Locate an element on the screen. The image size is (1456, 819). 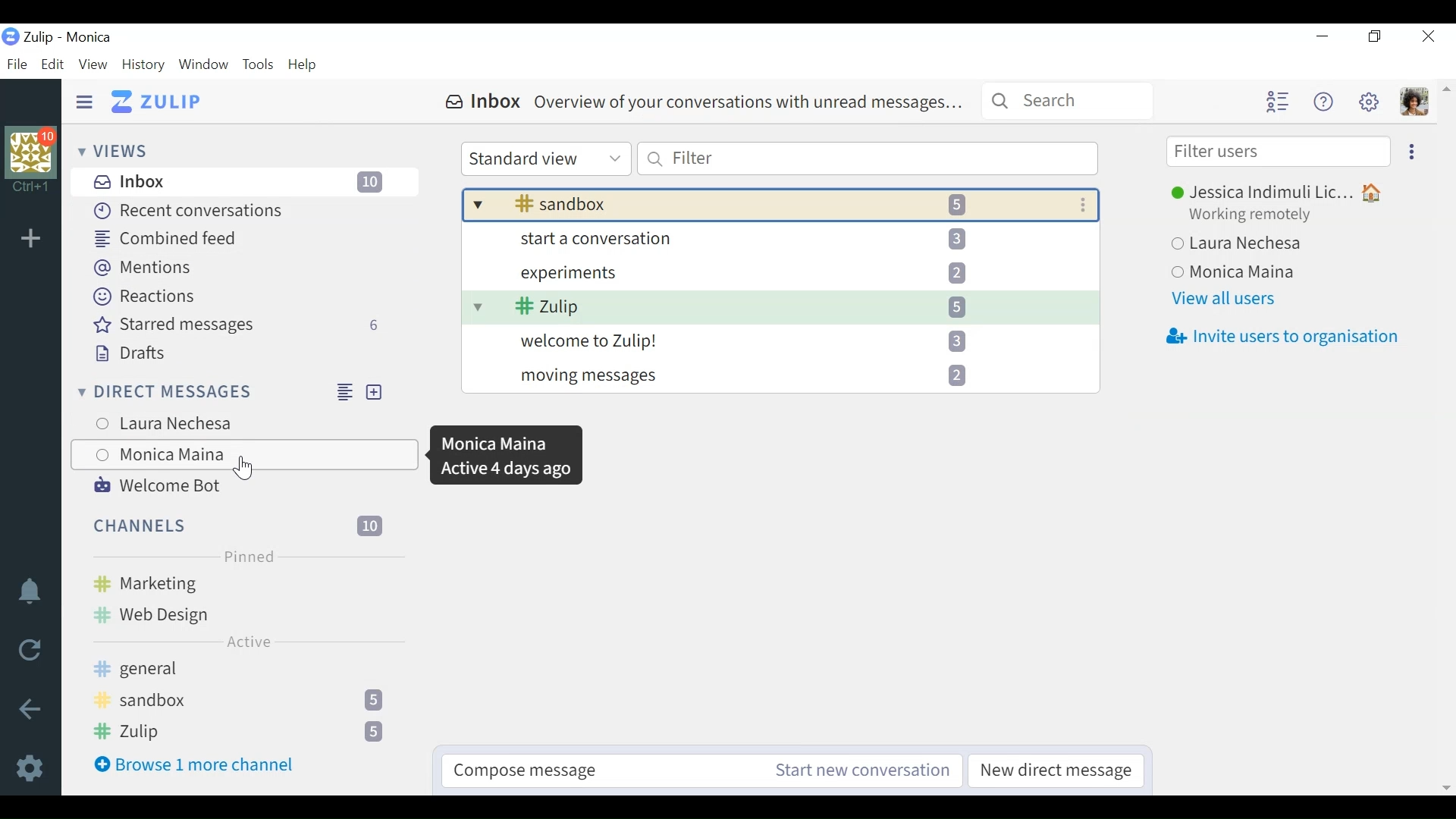
Ellipsis is located at coordinates (1082, 204).